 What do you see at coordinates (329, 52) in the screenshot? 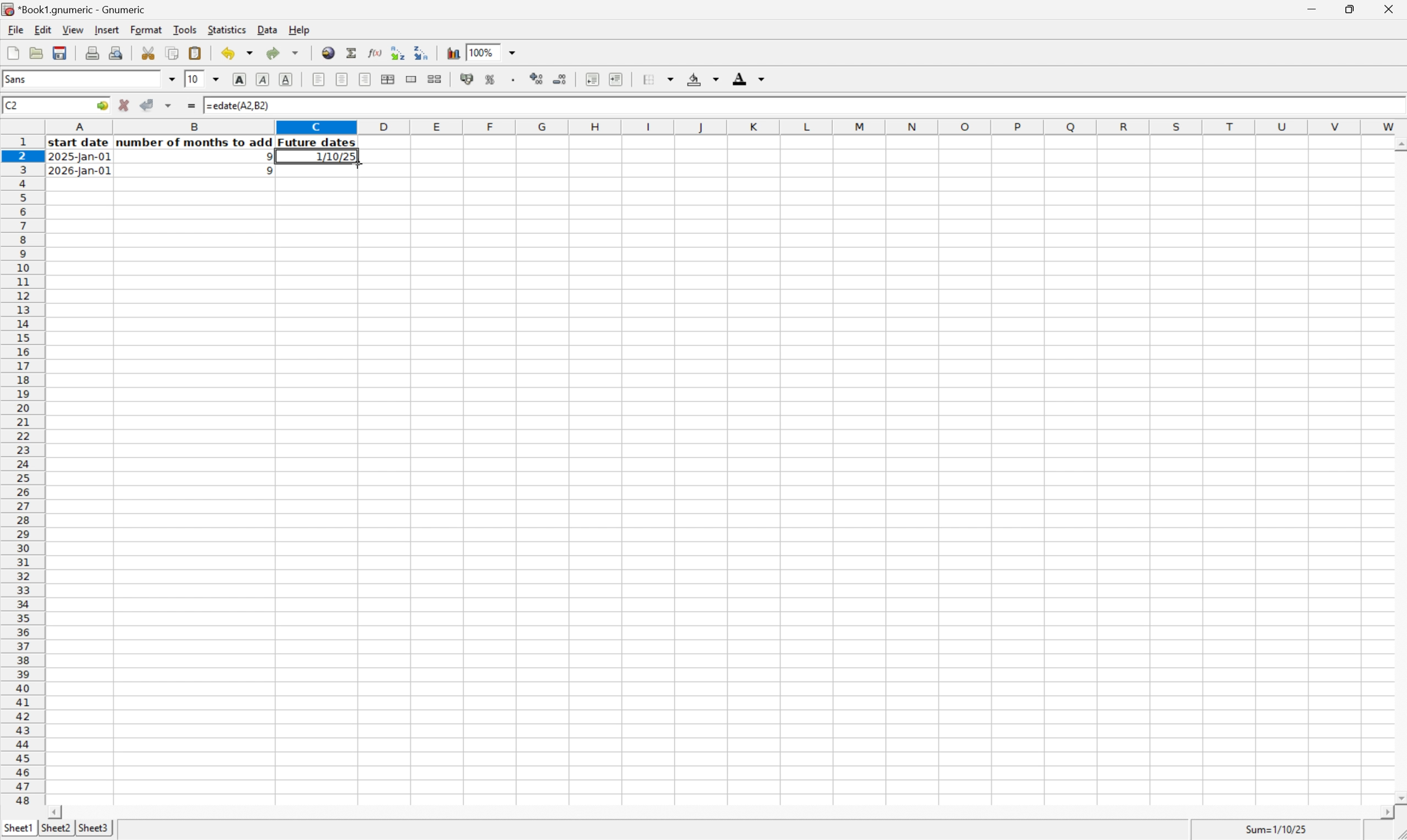
I see `Insert a hyperlink` at bounding box center [329, 52].